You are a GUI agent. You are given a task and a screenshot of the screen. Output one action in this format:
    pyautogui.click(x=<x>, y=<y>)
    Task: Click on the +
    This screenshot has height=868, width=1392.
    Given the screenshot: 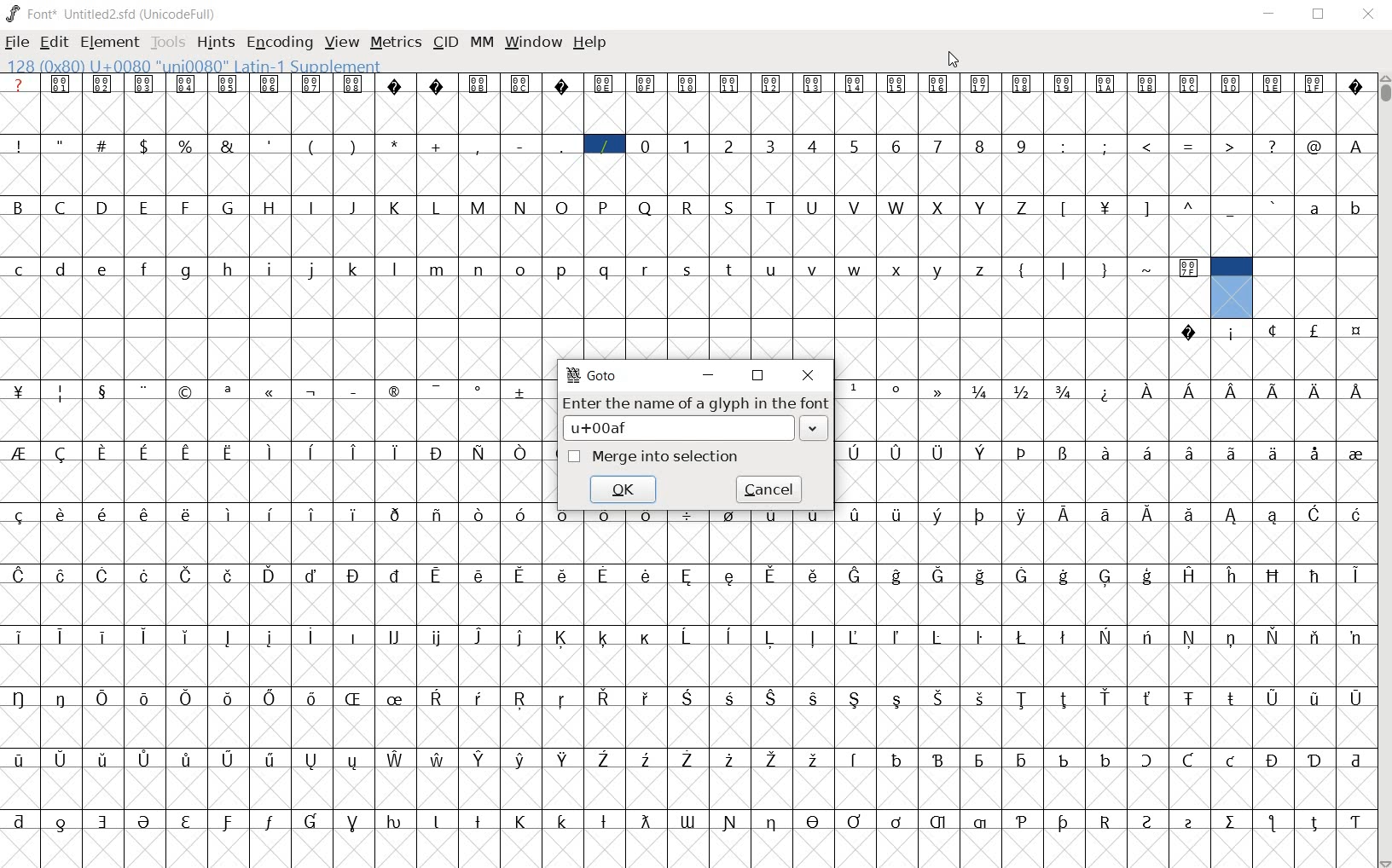 What is the action you would take?
    pyautogui.click(x=438, y=145)
    